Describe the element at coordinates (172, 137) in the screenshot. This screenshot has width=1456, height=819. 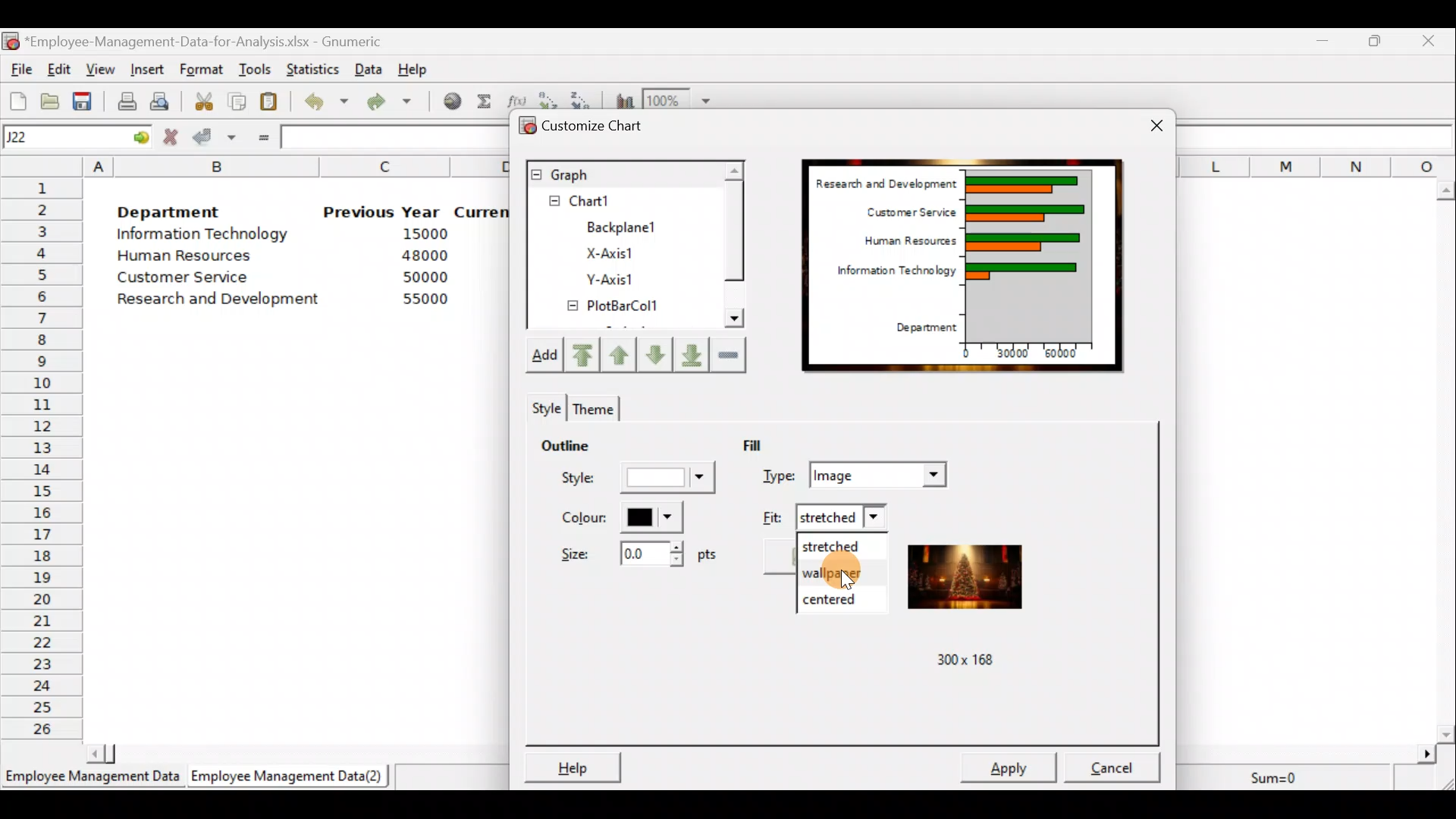
I see `Cancel change` at that location.